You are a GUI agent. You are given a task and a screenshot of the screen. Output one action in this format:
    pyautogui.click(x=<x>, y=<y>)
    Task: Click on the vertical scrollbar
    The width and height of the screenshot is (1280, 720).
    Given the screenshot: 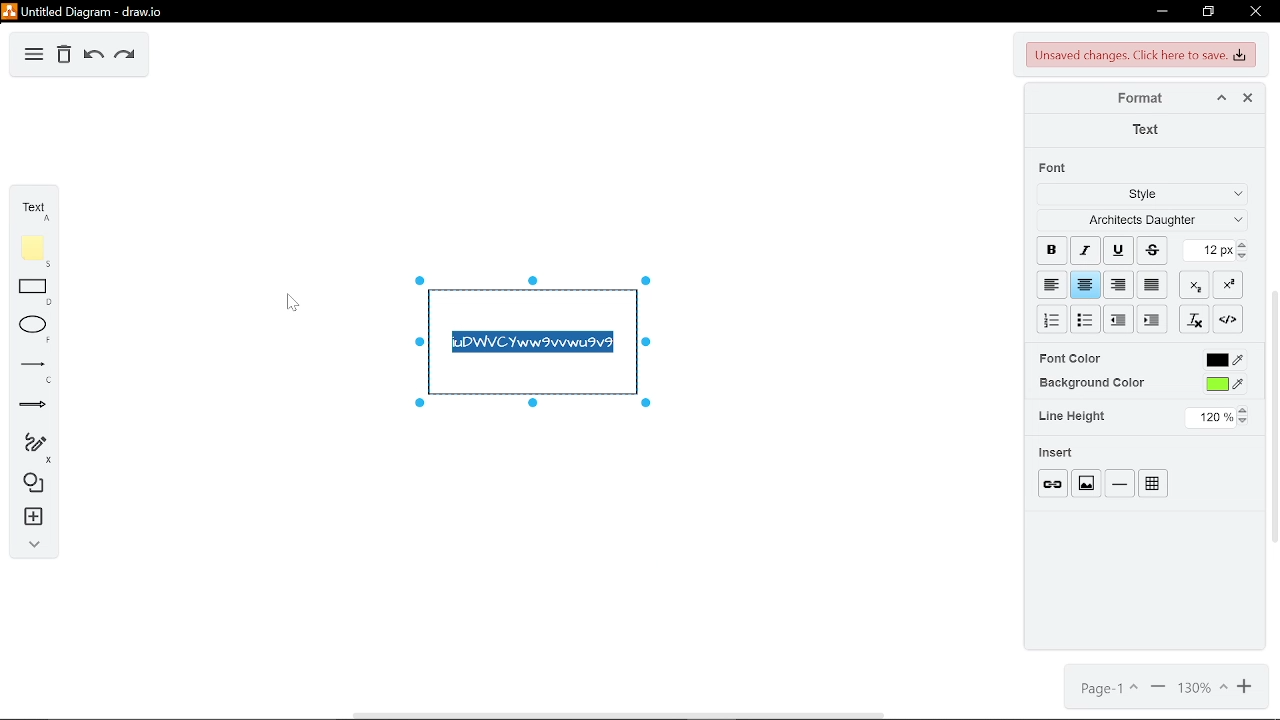 What is the action you would take?
    pyautogui.click(x=1272, y=416)
    